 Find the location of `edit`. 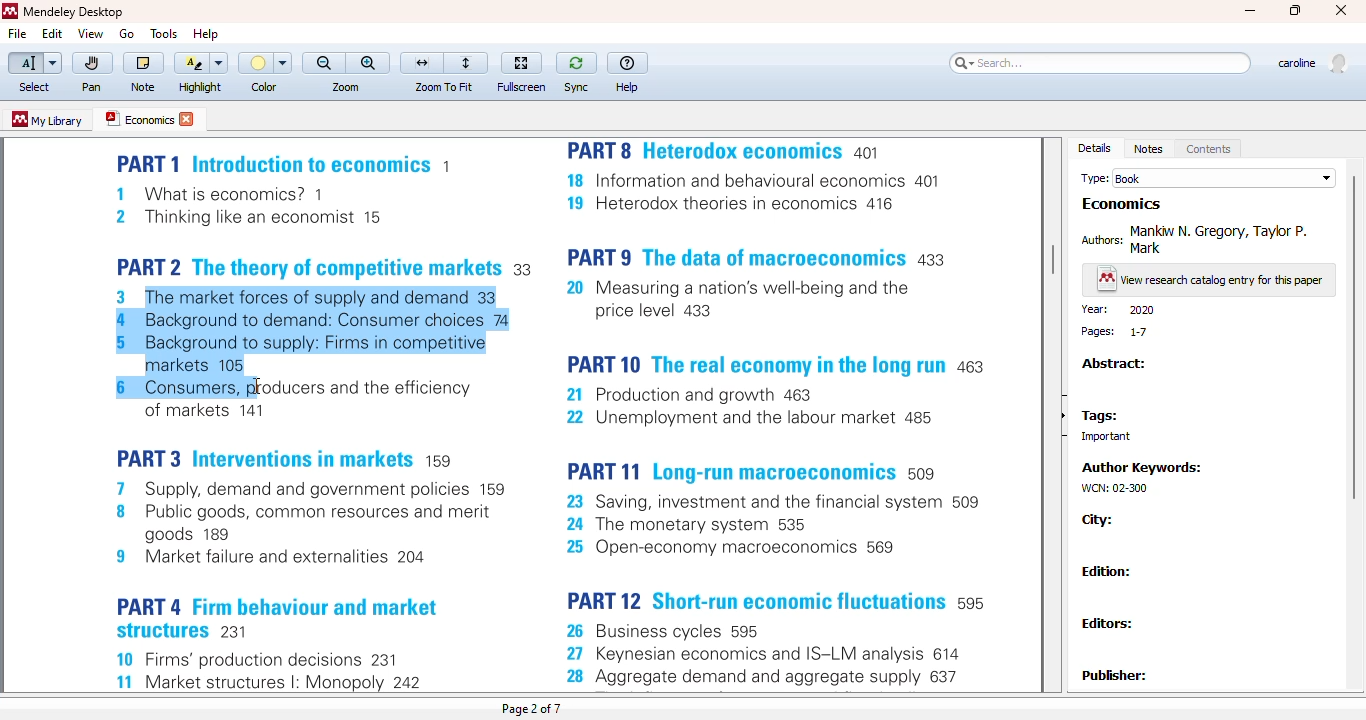

edit is located at coordinates (53, 34).